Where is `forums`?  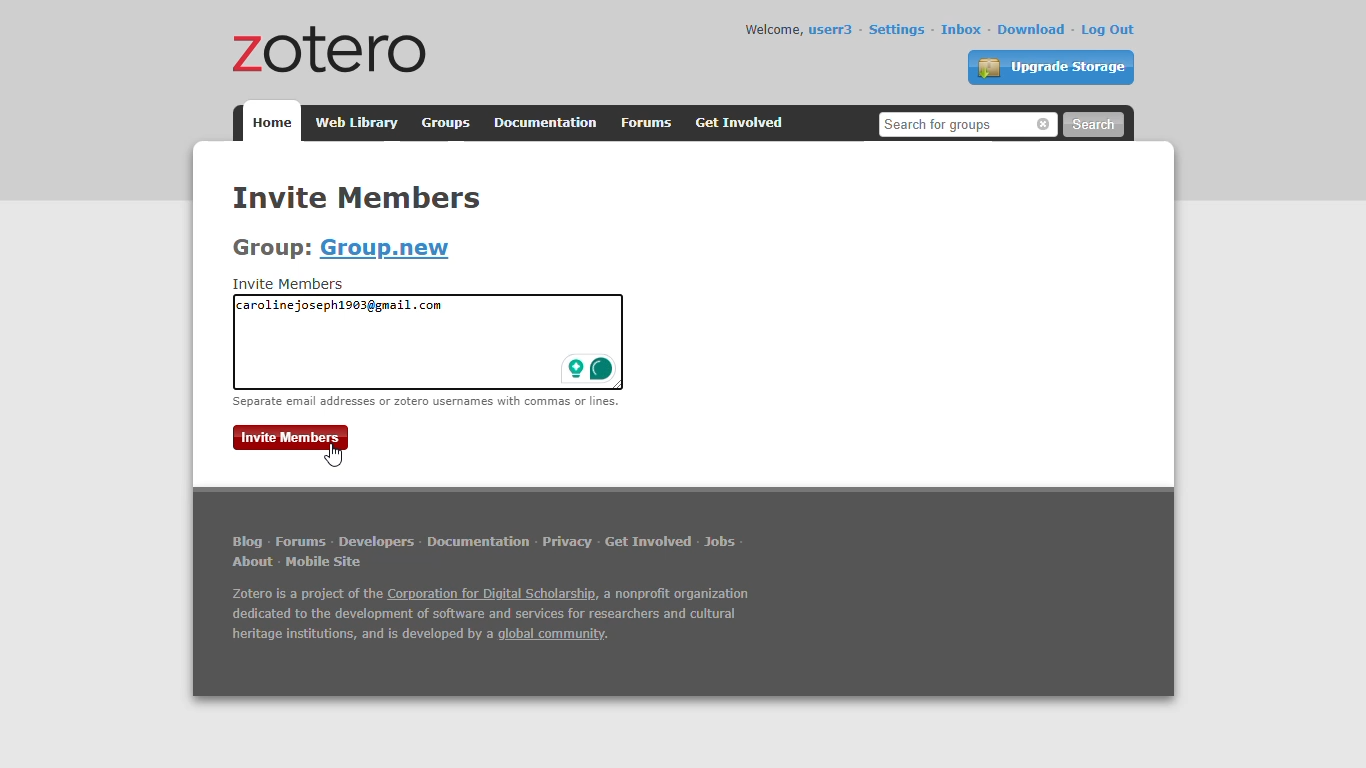
forums is located at coordinates (646, 123).